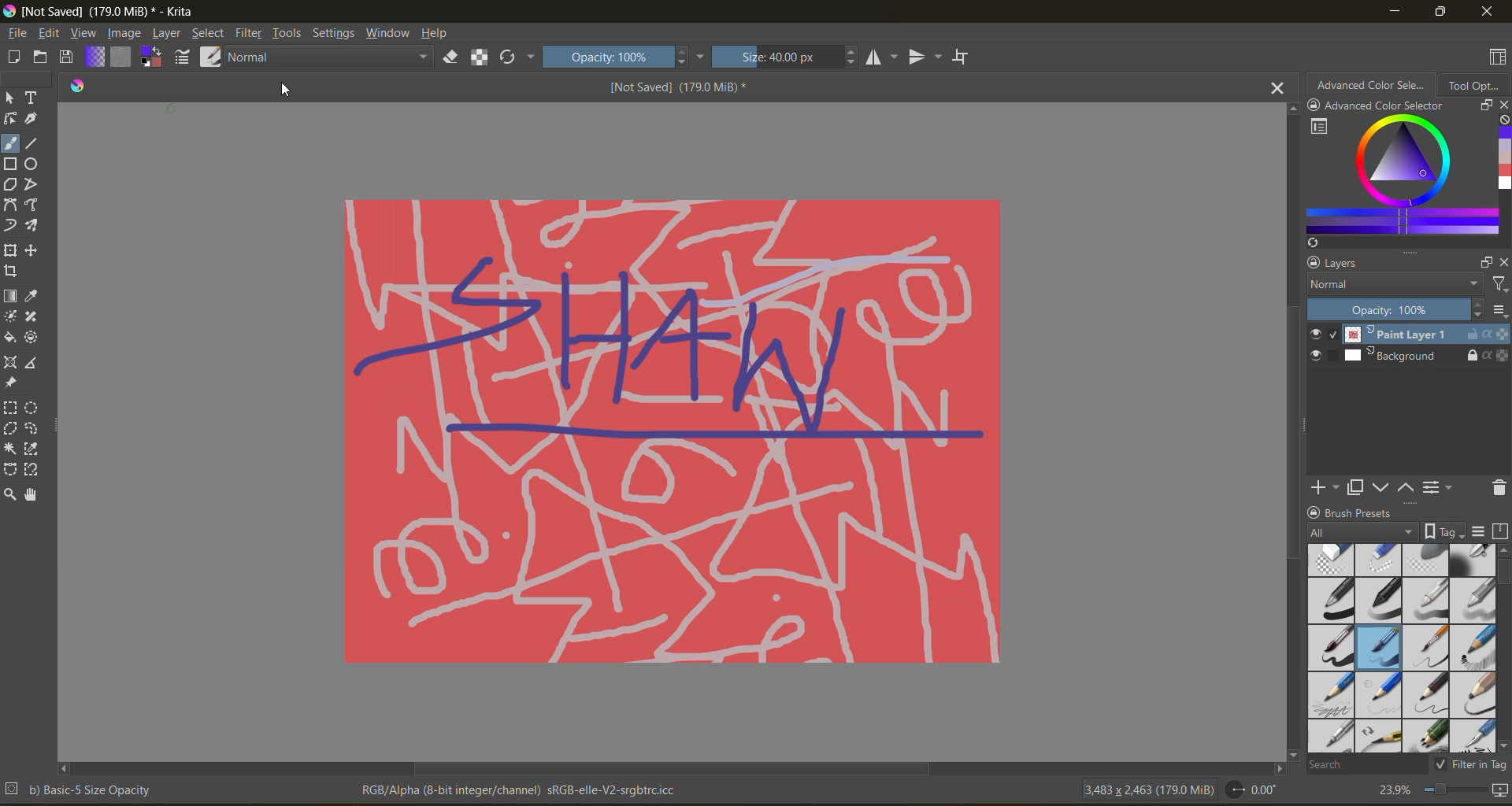  Describe the element at coordinates (35, 226) in the screenshot. I see `multi brush tool` at that location.